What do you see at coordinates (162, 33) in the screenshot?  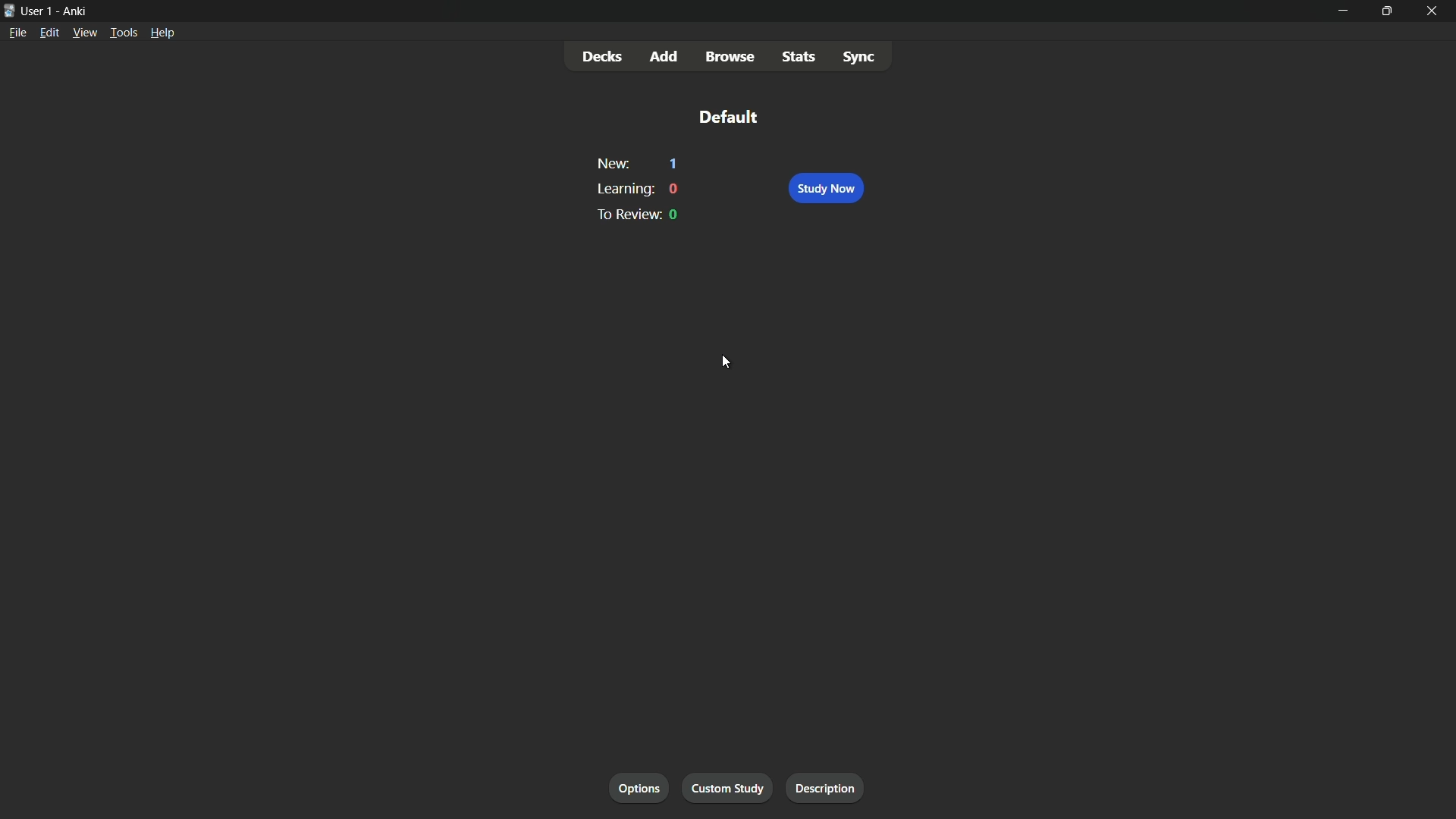 I see `help menu` at bounding box center [162, 33].